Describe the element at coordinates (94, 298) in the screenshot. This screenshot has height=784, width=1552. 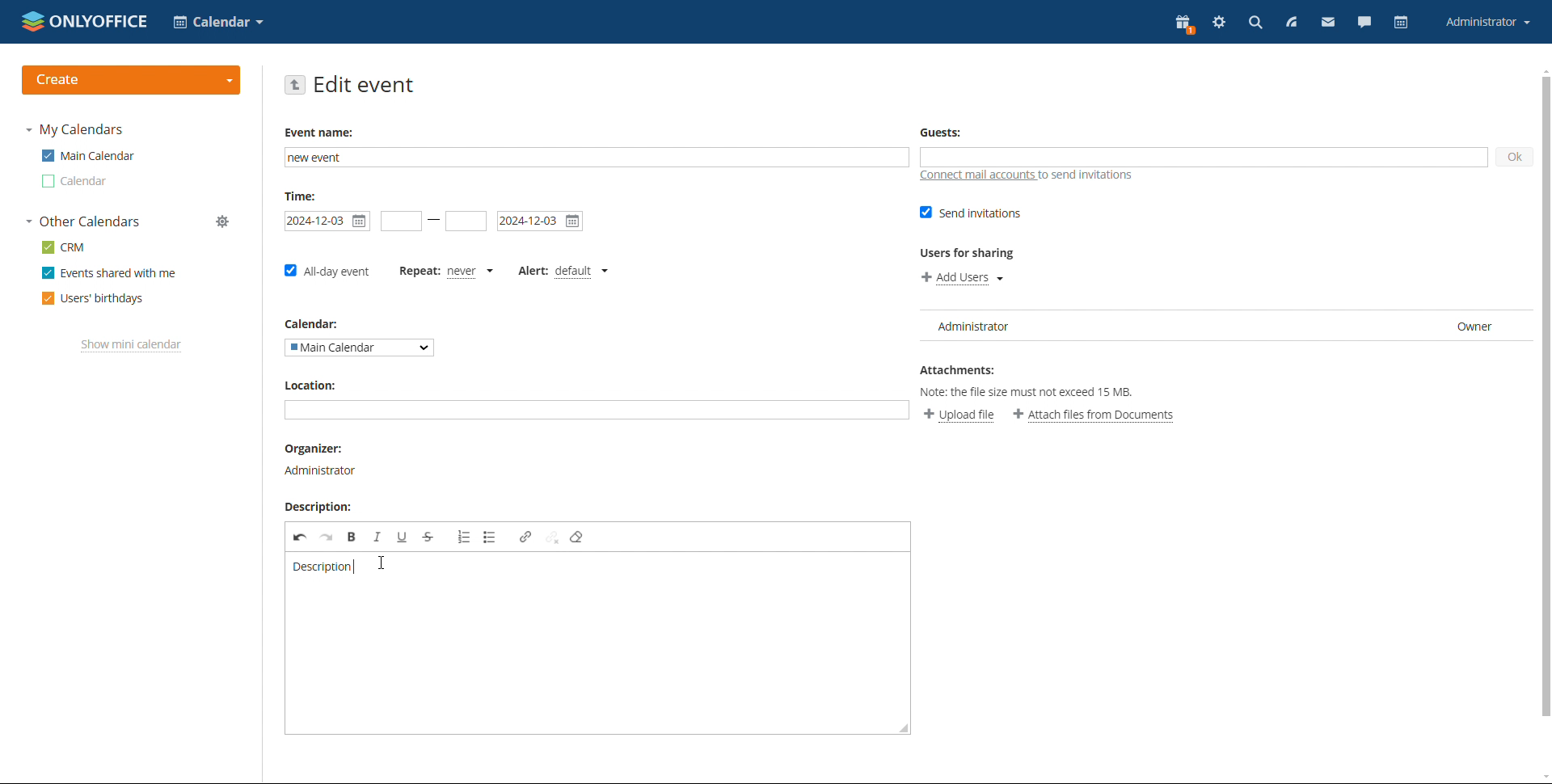
I see `users' birthdays` at that location.